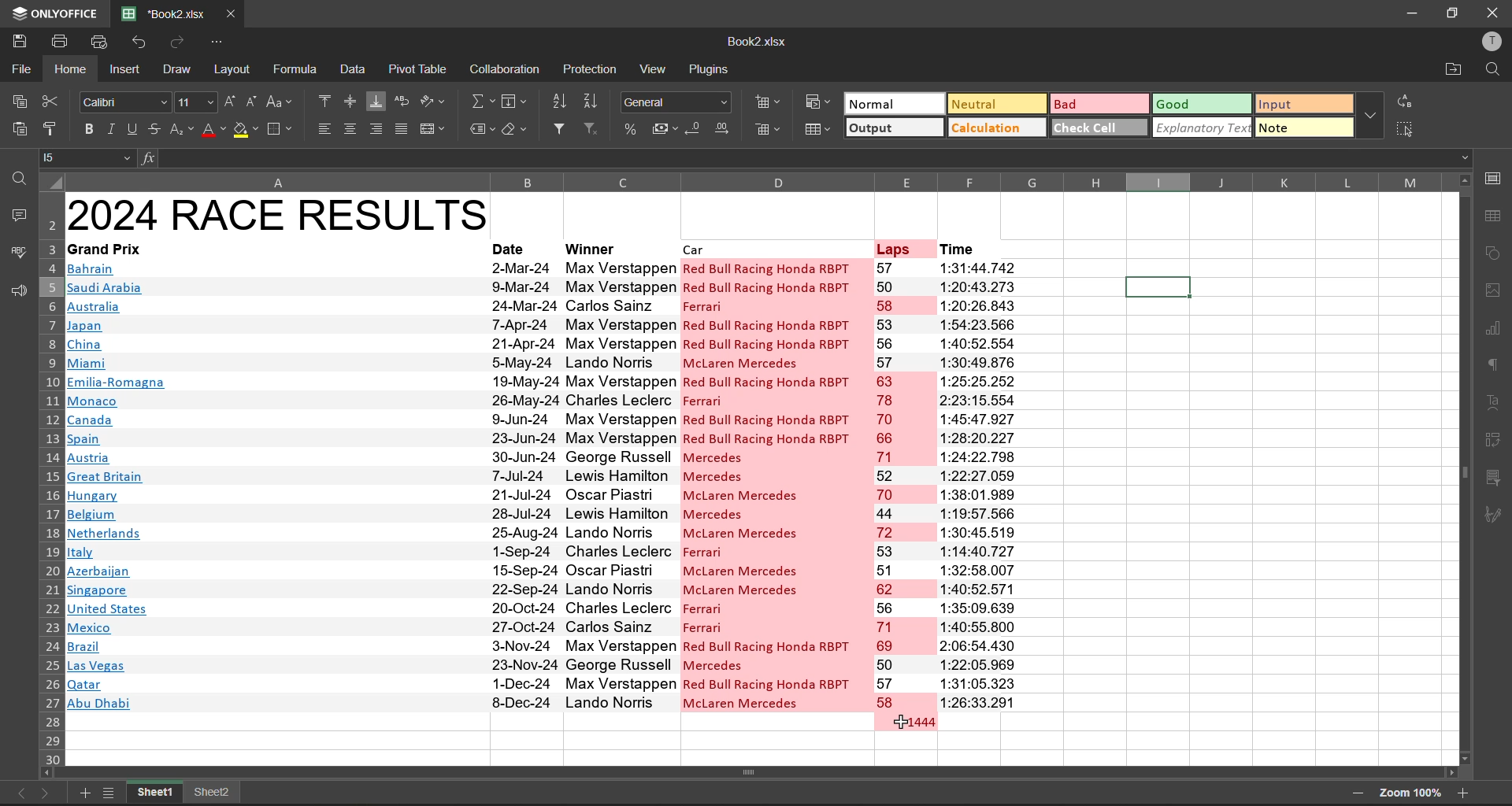 The width and height of the screenshot is (1512, 806). Describe the element at coordinates (481, 127) in the screenshot. I see `named ranges` at that location.